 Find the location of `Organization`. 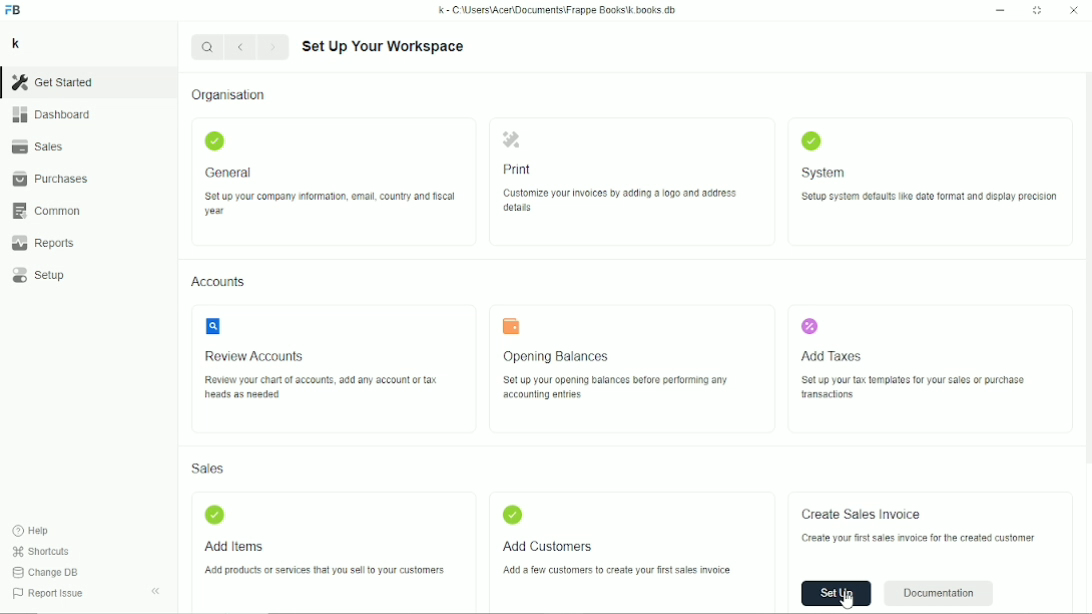

Organization is located at coordinates (228, 96).